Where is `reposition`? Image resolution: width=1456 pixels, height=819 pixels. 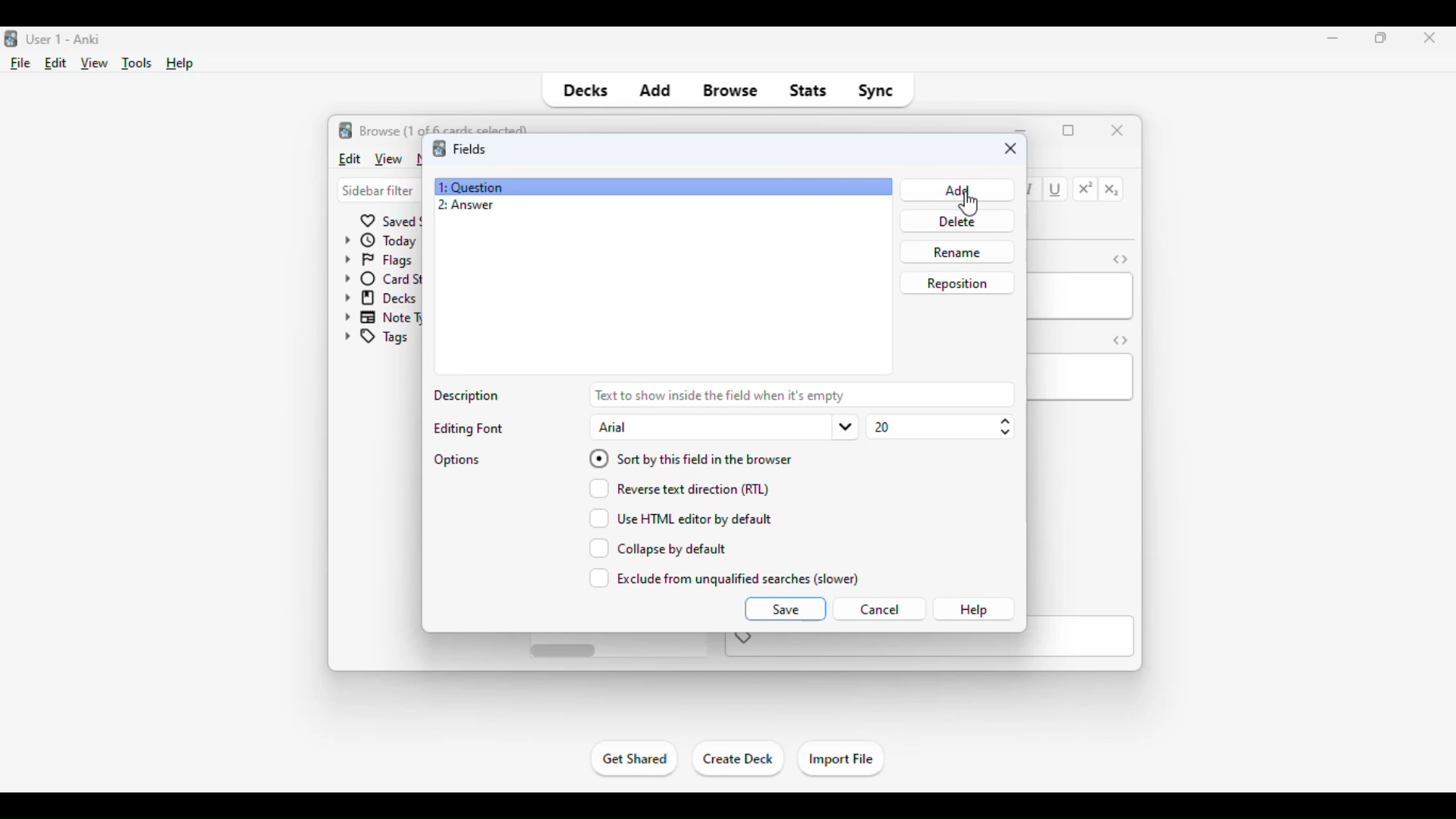 reposition is located at coordinates (957, 282).